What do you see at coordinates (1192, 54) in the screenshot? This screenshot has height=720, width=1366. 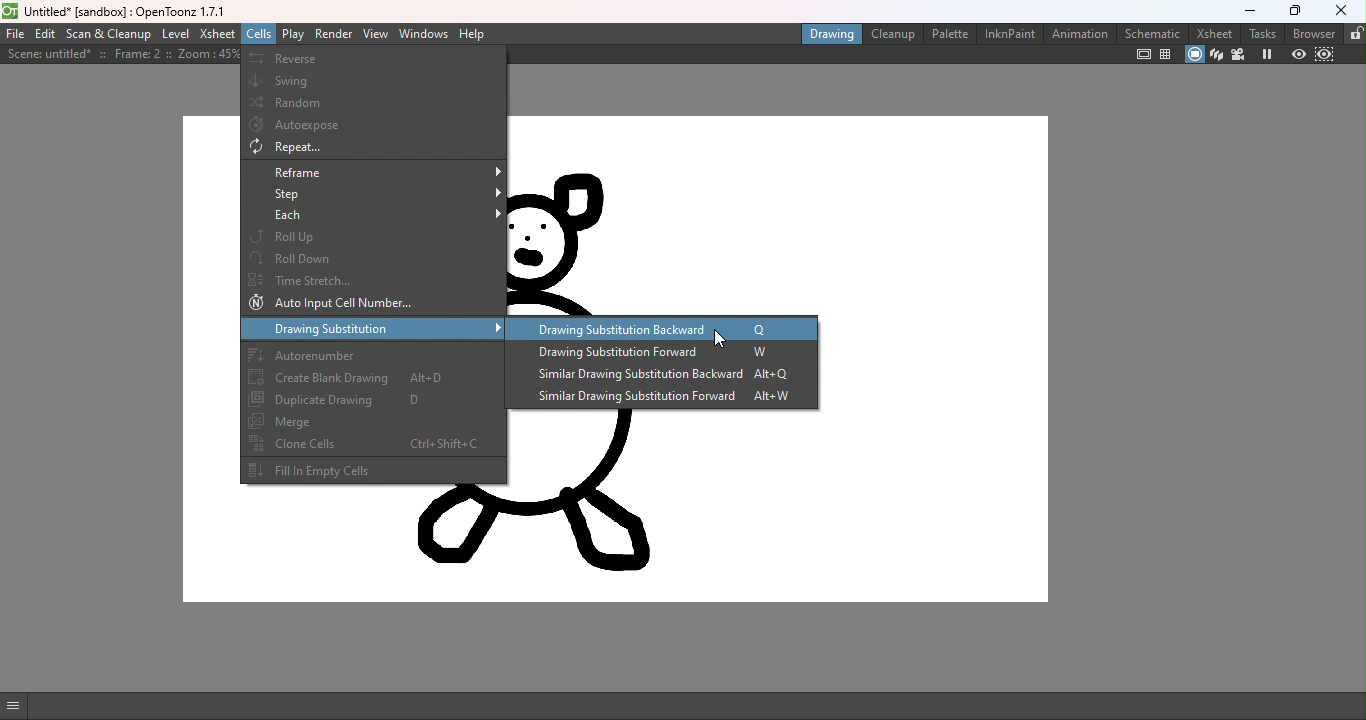 I see `Camera stand view` at bounding box center [1192, 54].